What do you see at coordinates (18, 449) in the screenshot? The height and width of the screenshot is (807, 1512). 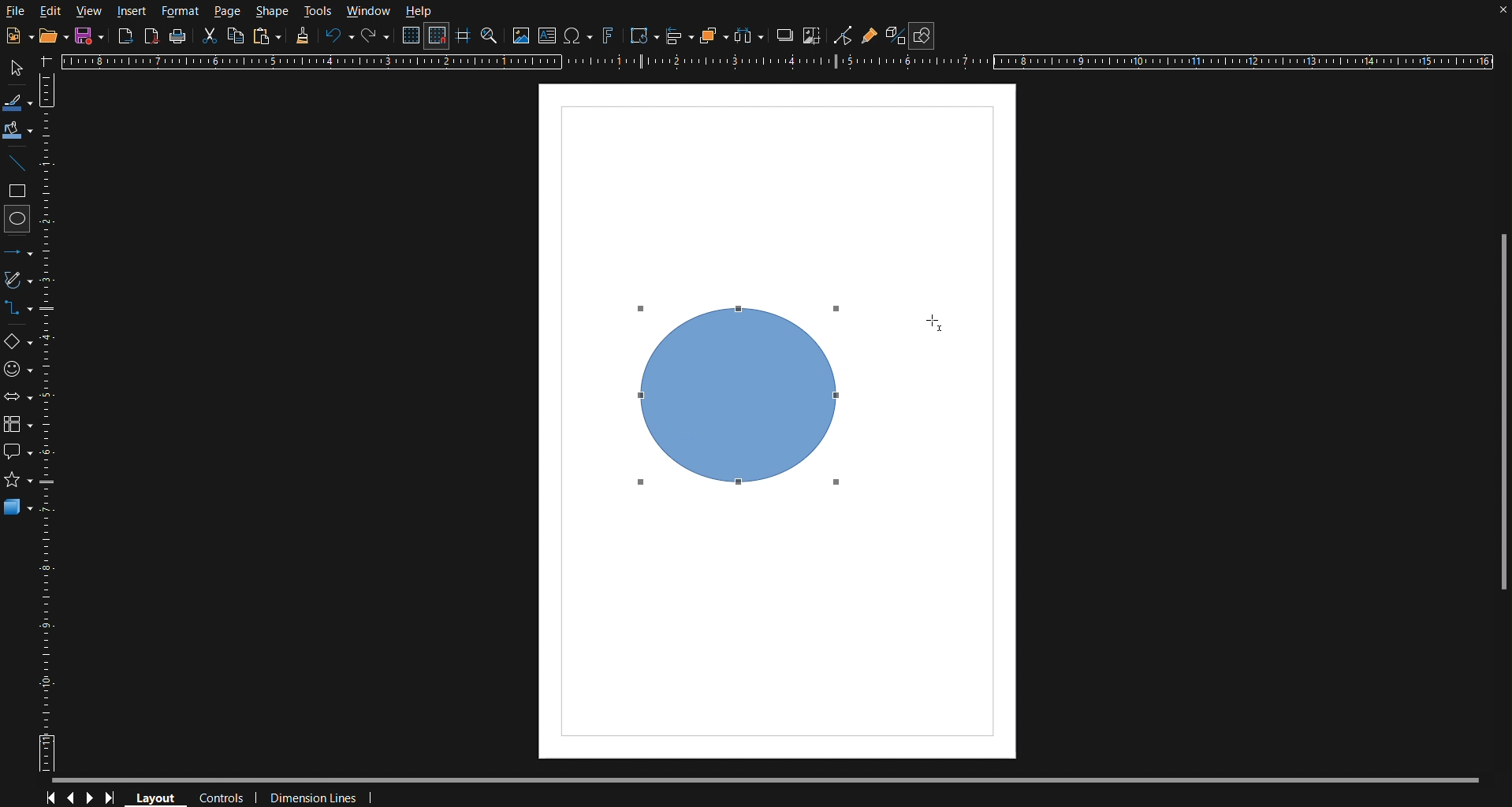 I see `Callout Shapes` at bounding box center [18, 449].